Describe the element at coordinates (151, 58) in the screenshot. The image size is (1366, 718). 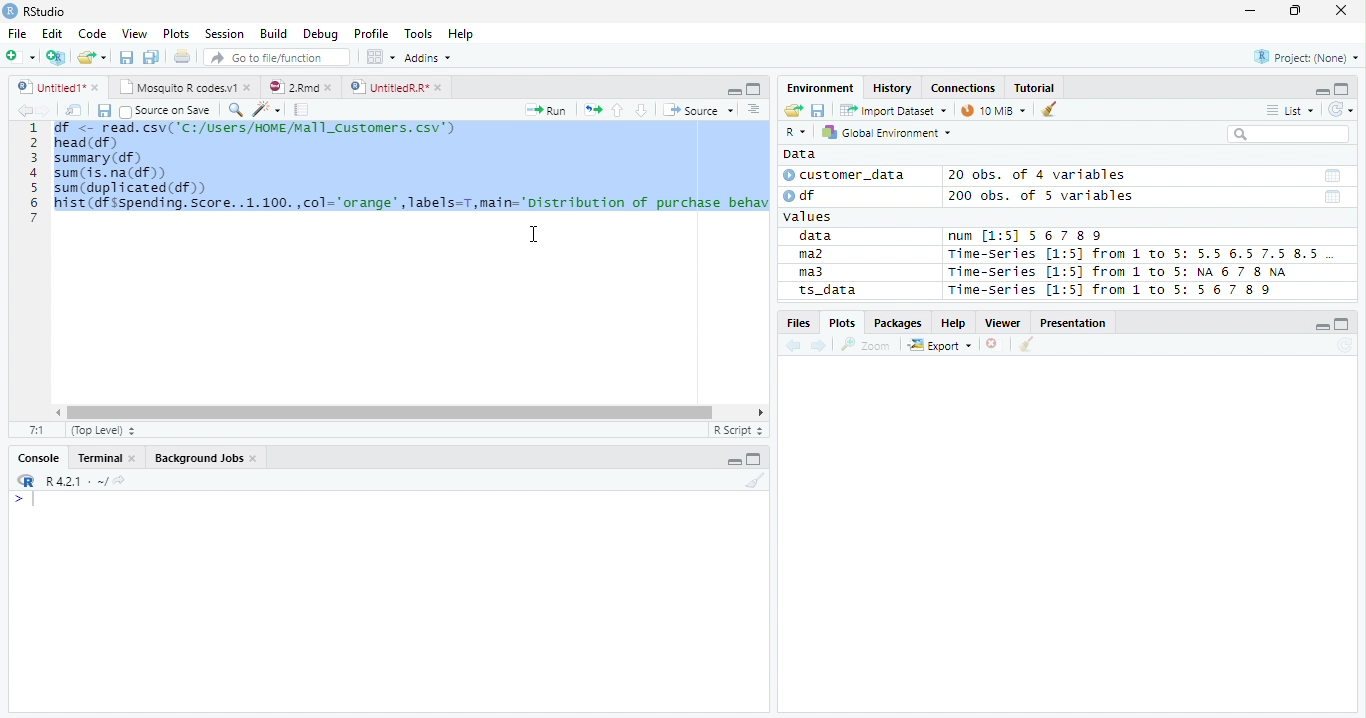
I see `Save all open documents` at that location.